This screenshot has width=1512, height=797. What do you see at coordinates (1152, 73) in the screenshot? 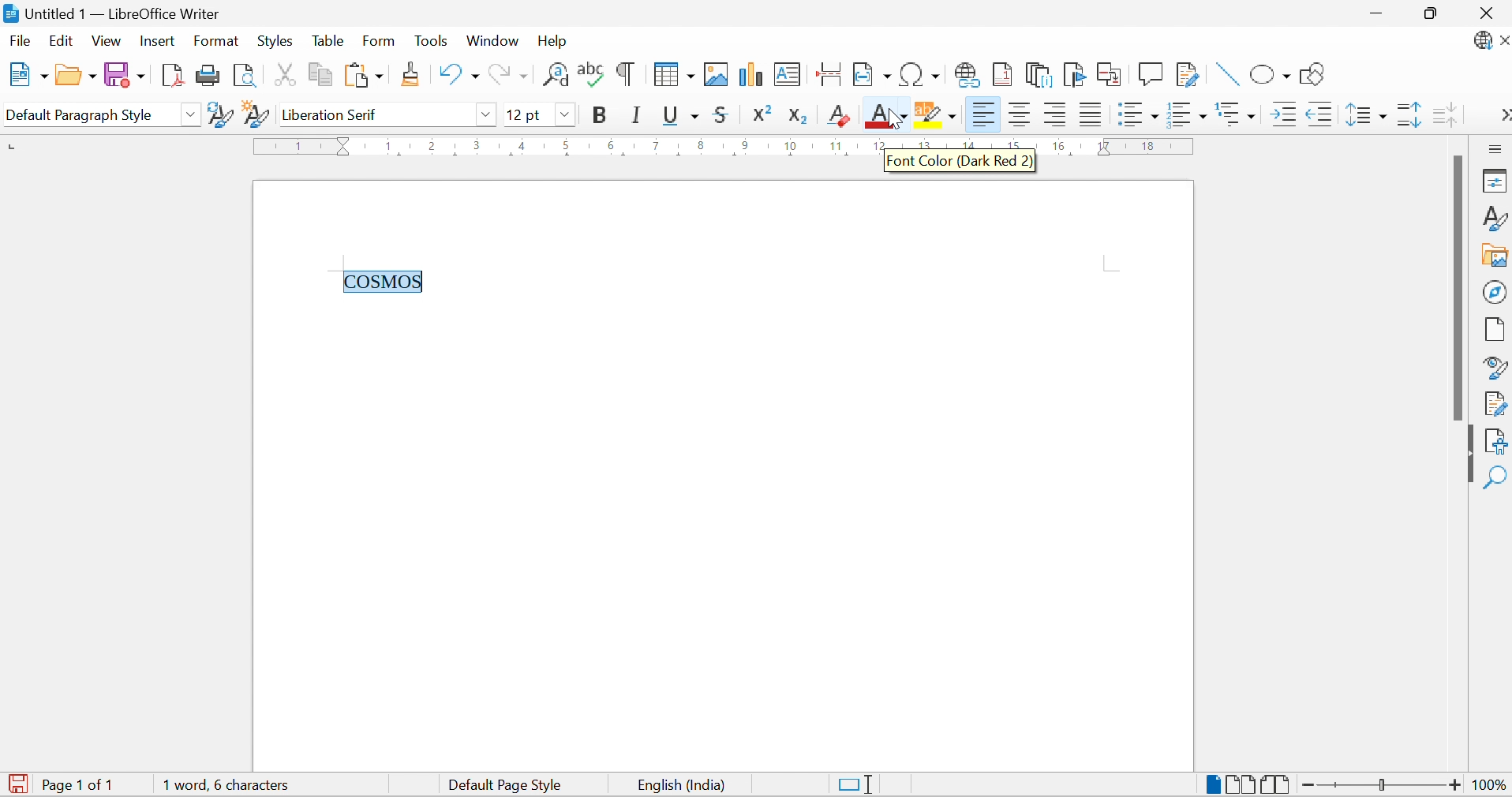
I see `Insert Comment` at bounding box center [1152, 73].